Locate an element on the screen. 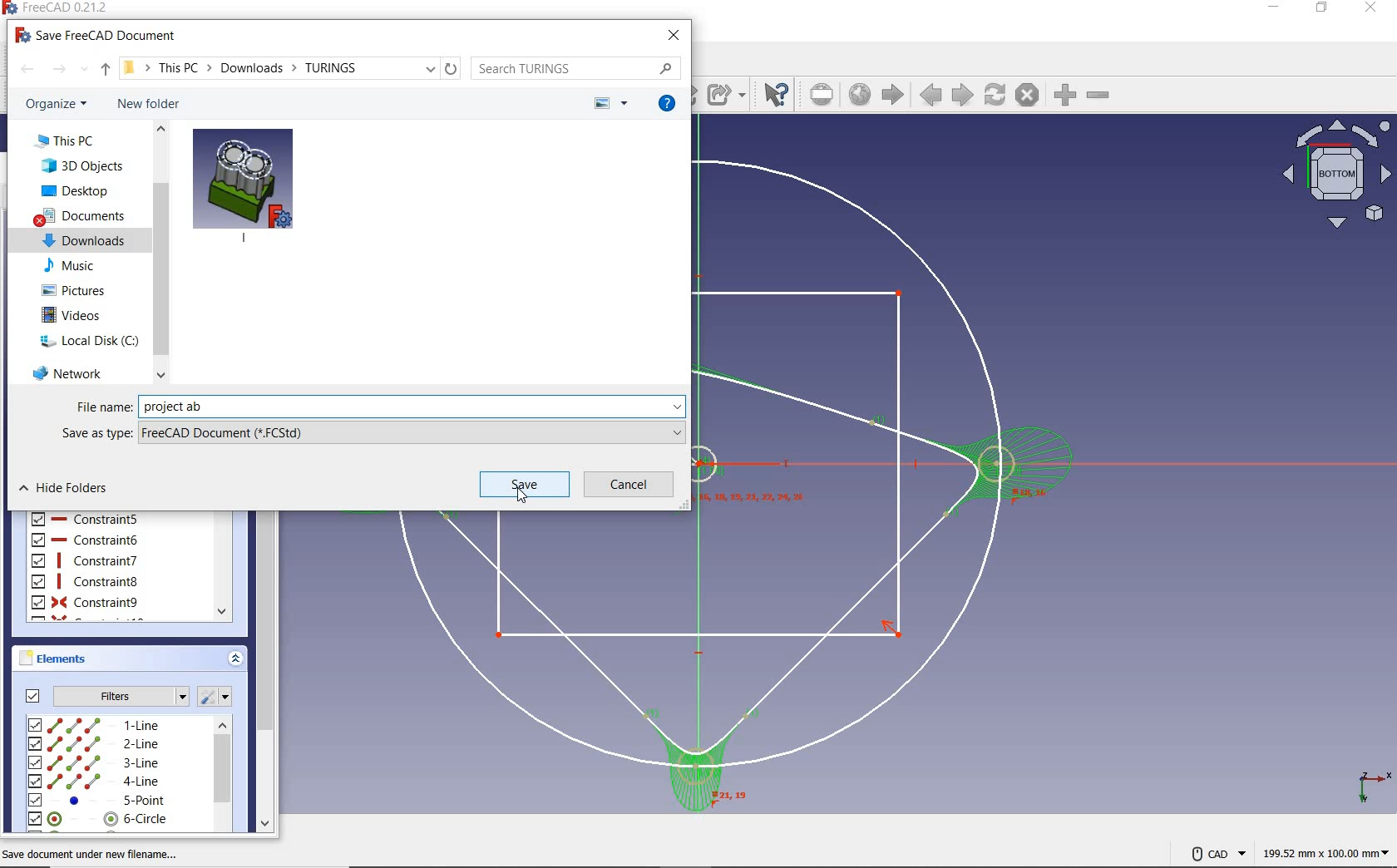  open website is located at coordinates (861, 96).